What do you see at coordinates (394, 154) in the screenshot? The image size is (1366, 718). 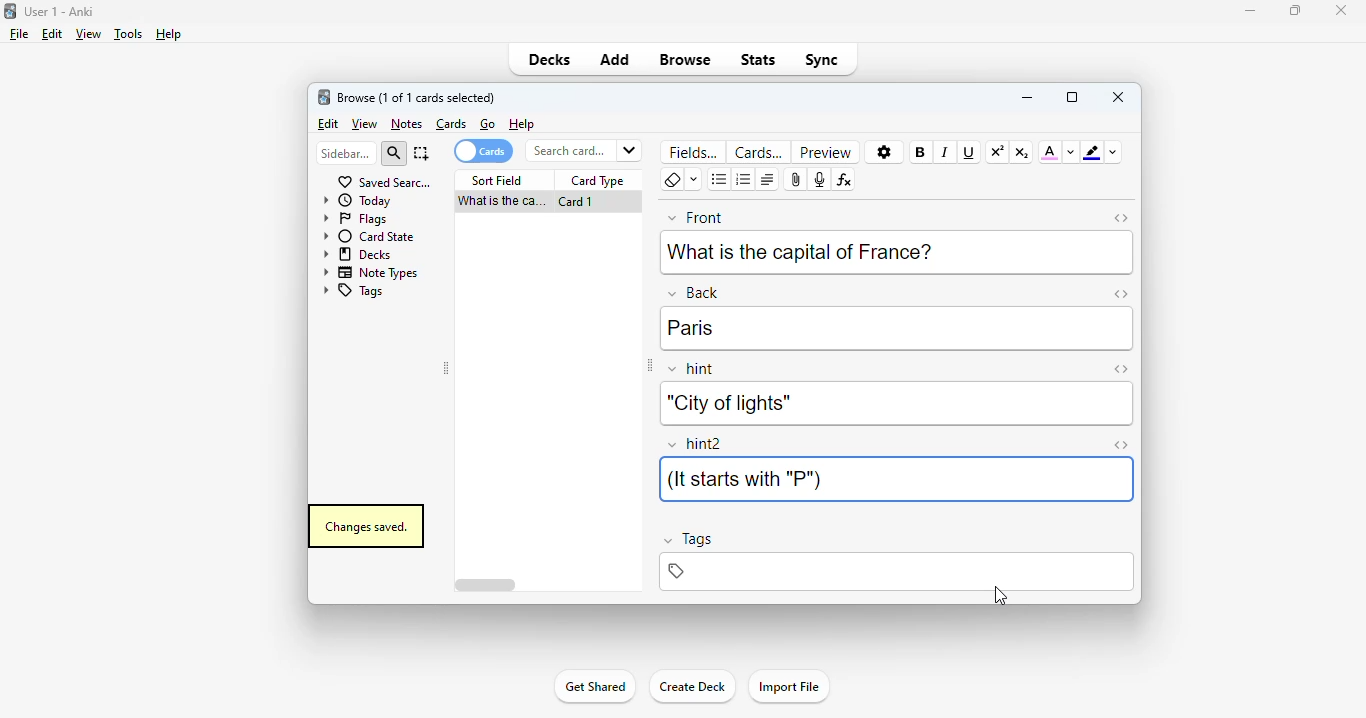 I see `search` at bounding box center [394, 154].